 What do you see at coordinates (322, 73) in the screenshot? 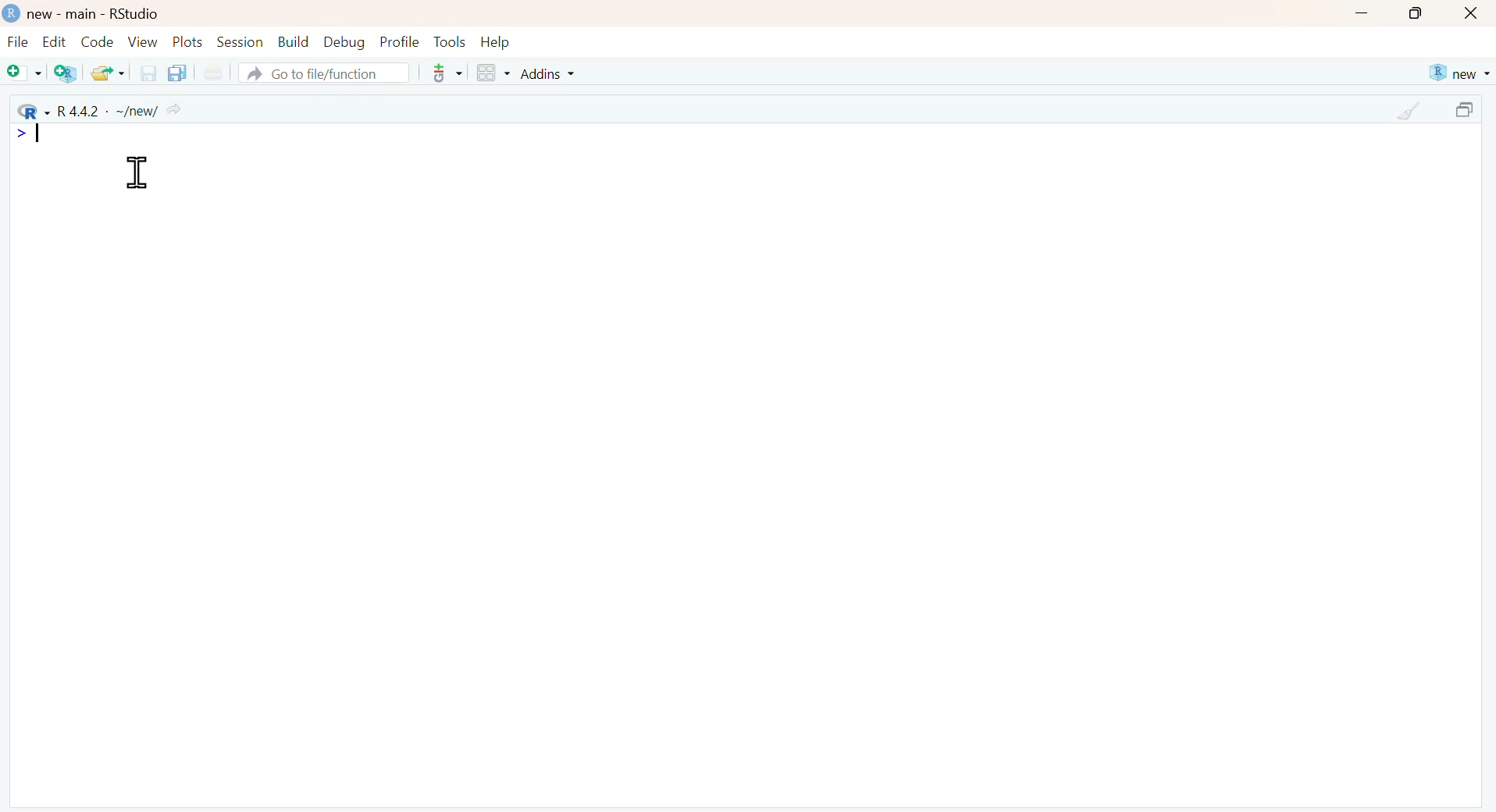
I see `Go to file/function` at bounding box center [322, 73].